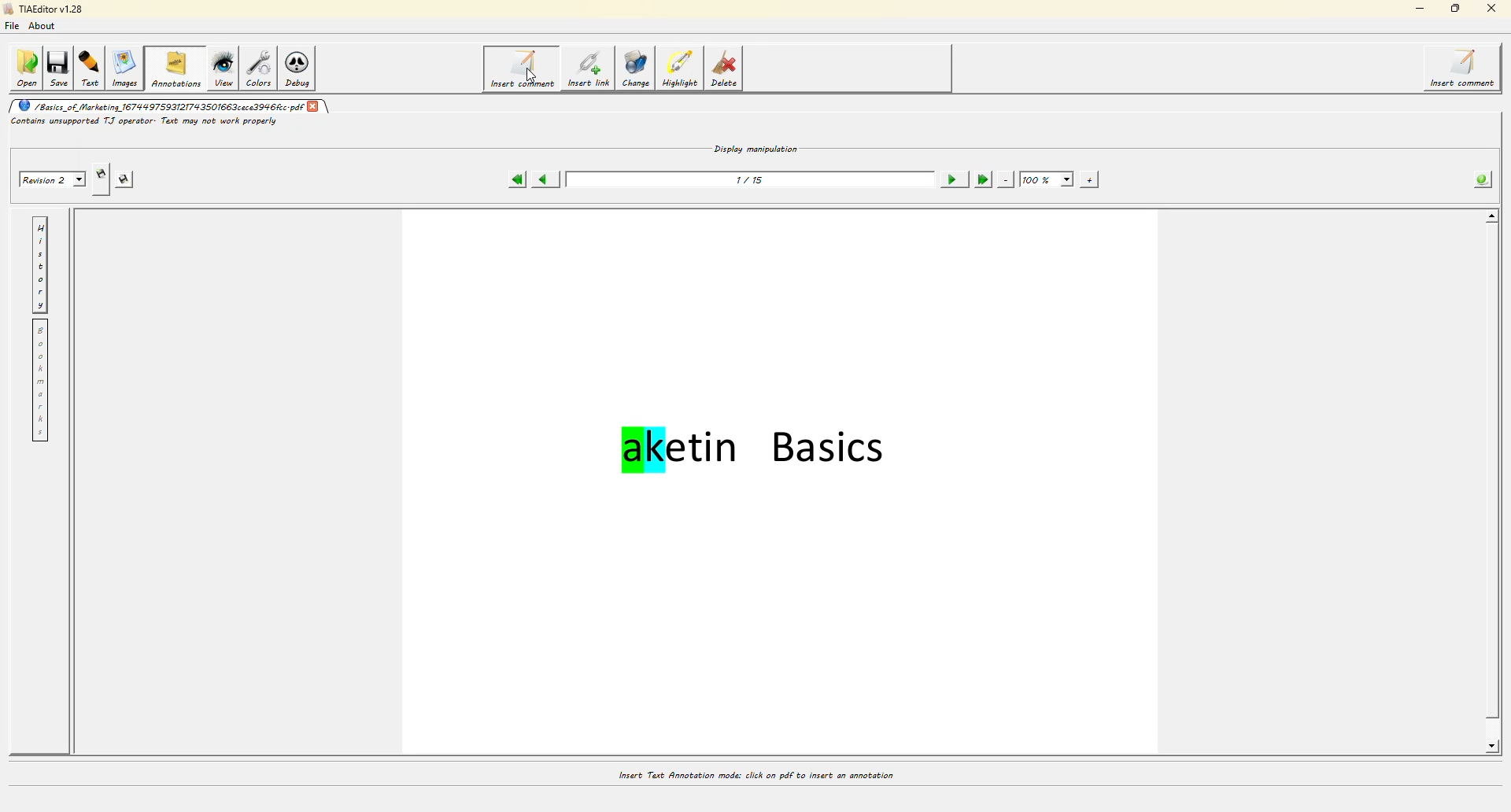  What do you see at coordinates (758, 454) in the screenshot?
I see `aketin Basics` at bounding box center [758, 454].